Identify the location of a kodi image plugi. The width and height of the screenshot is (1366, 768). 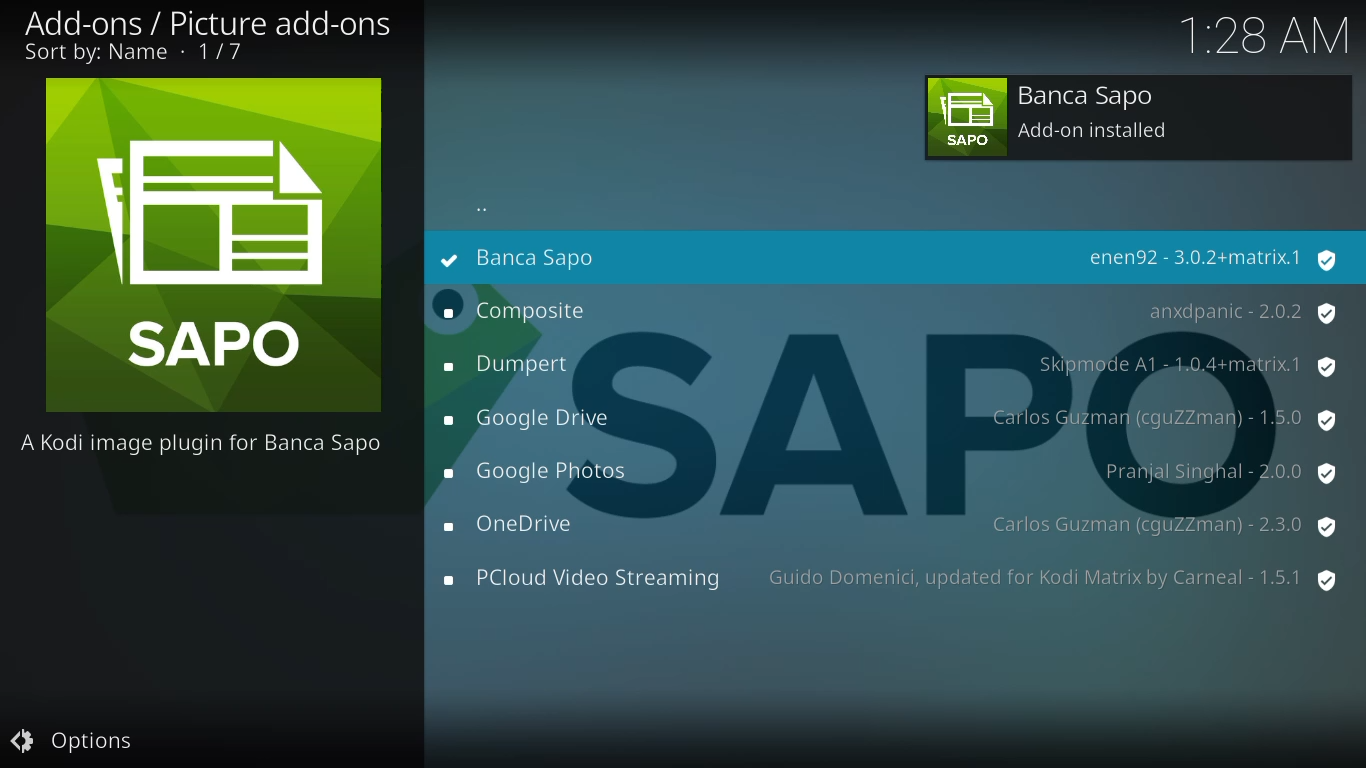
(205, 441).